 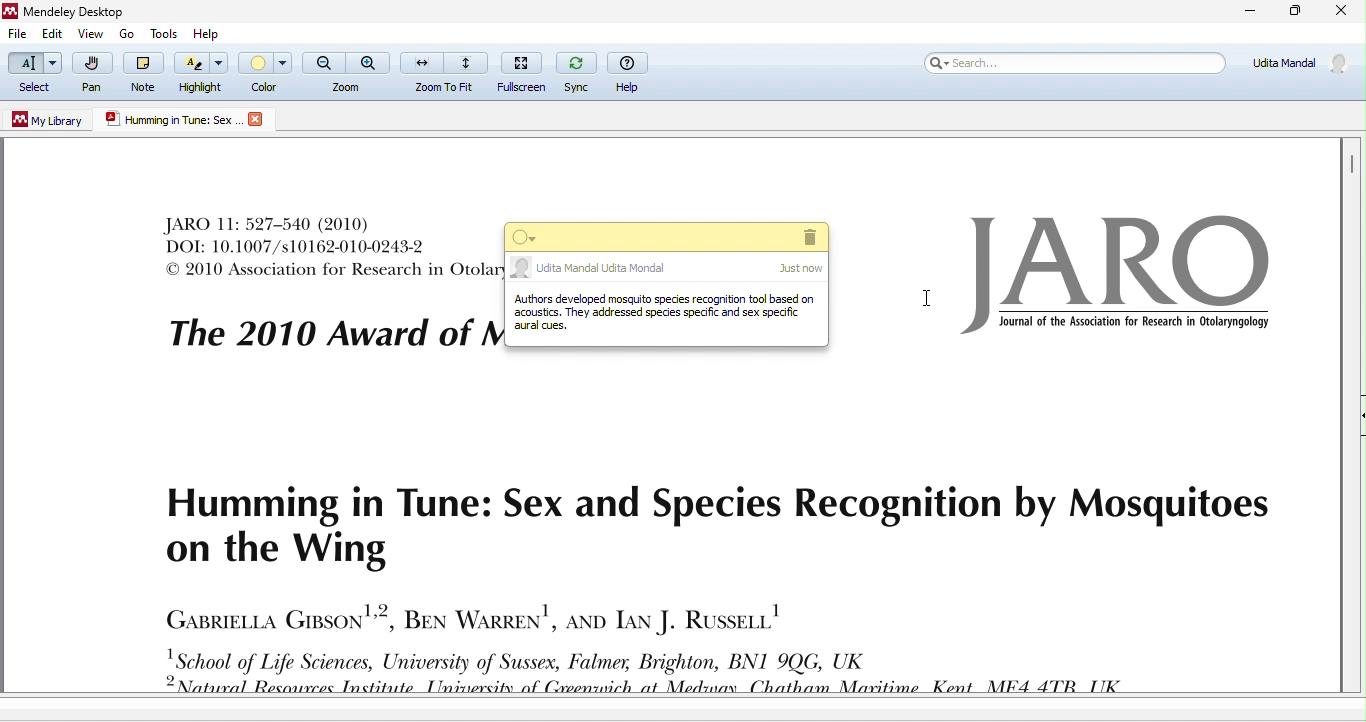 What do you see at coordinates (44, 122) in the screenshot?
I see `my library` at bounding box center [44, 122].